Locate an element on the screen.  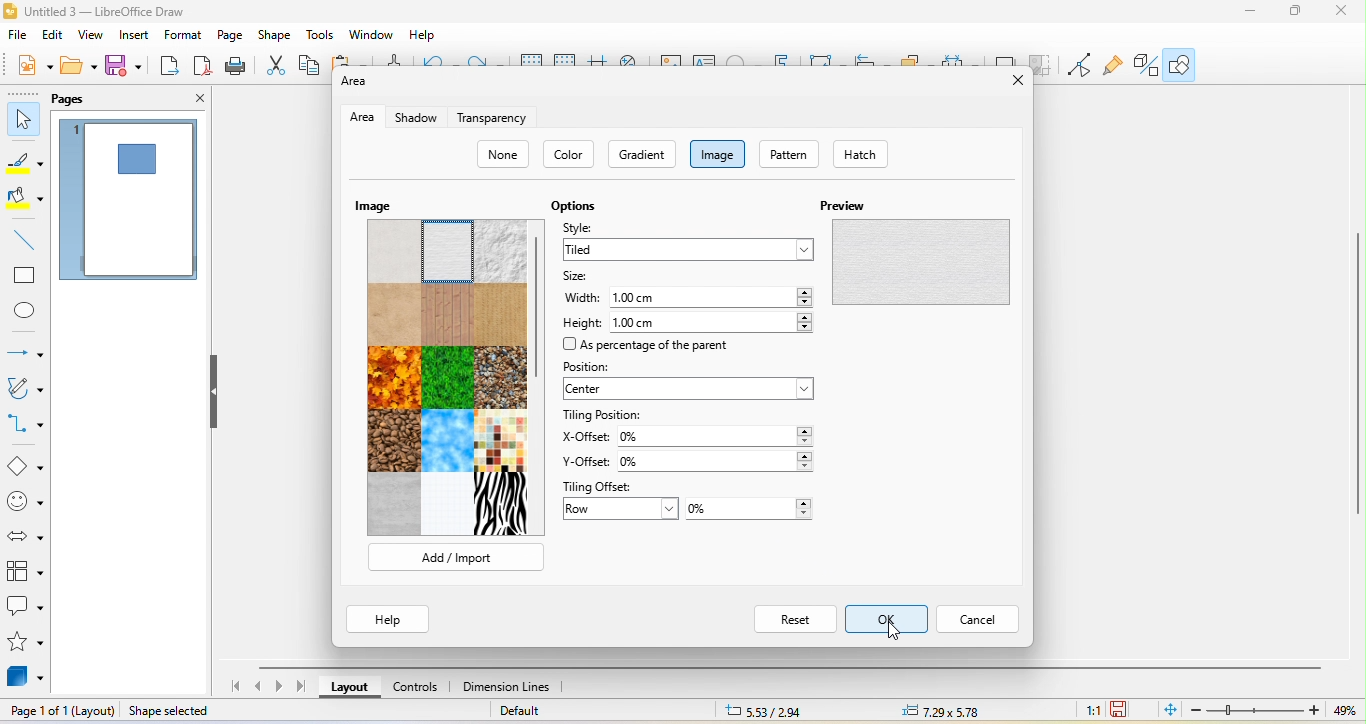
as percentage of the parent is located at coordinates (651, 345).